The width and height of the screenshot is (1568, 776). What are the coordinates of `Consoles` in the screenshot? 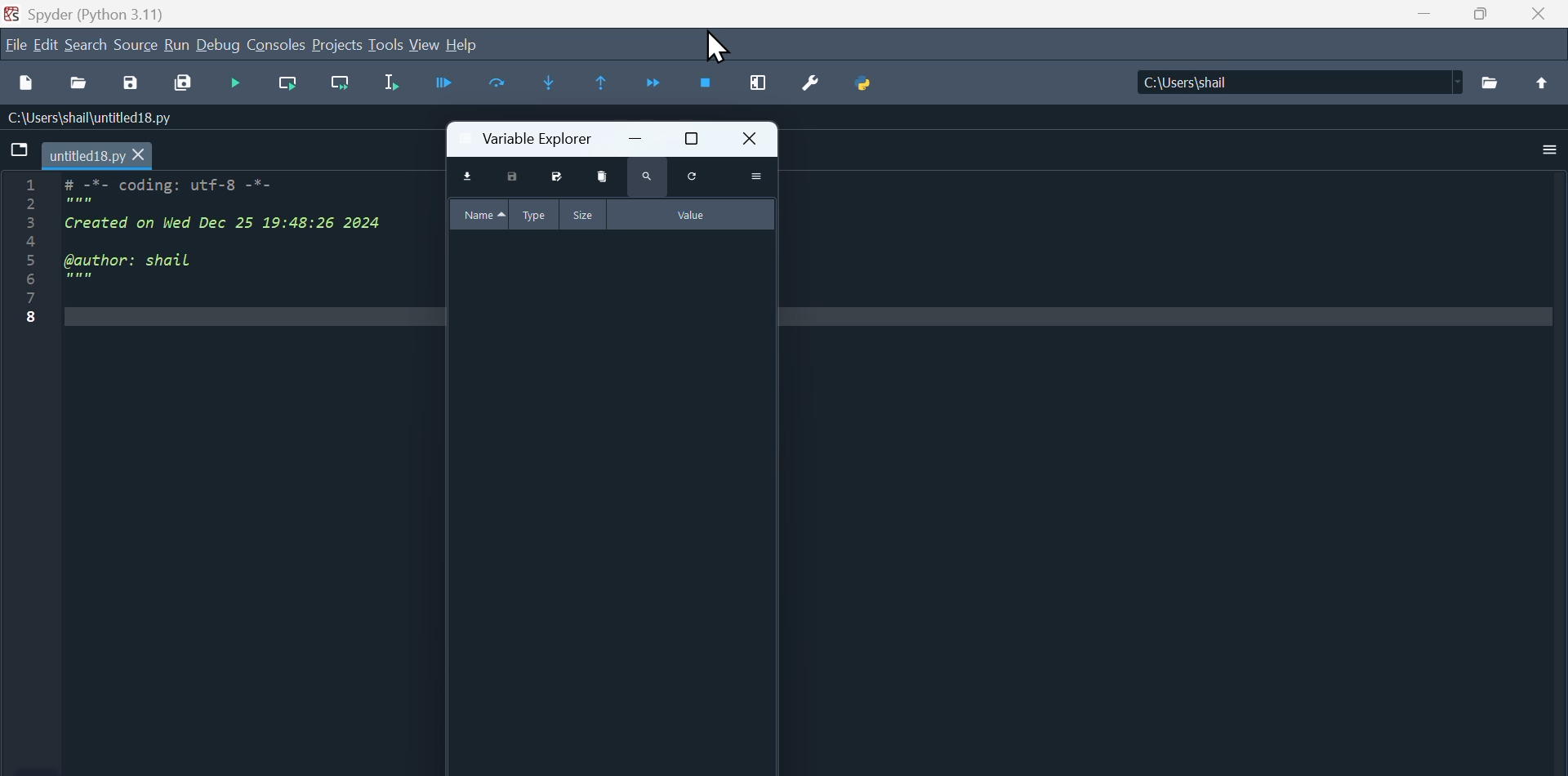 It's located at (278, 46).